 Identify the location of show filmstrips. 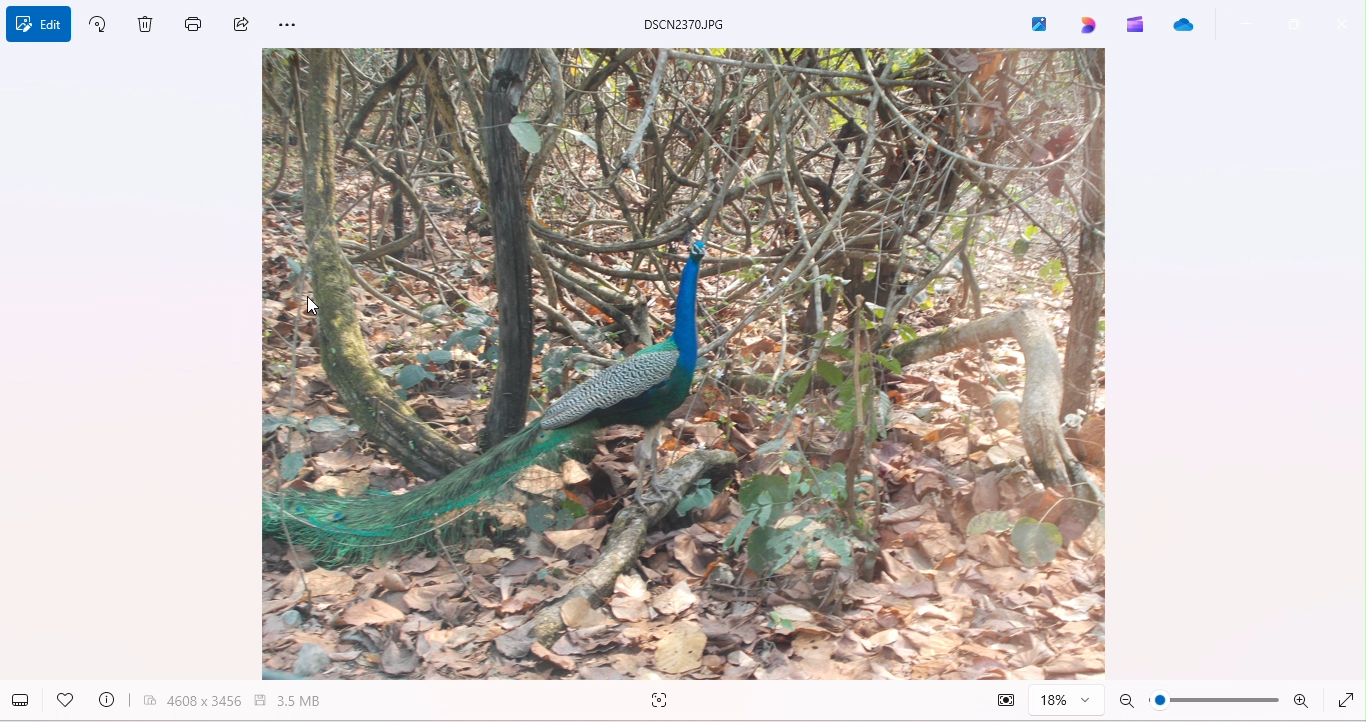
(24, 699).